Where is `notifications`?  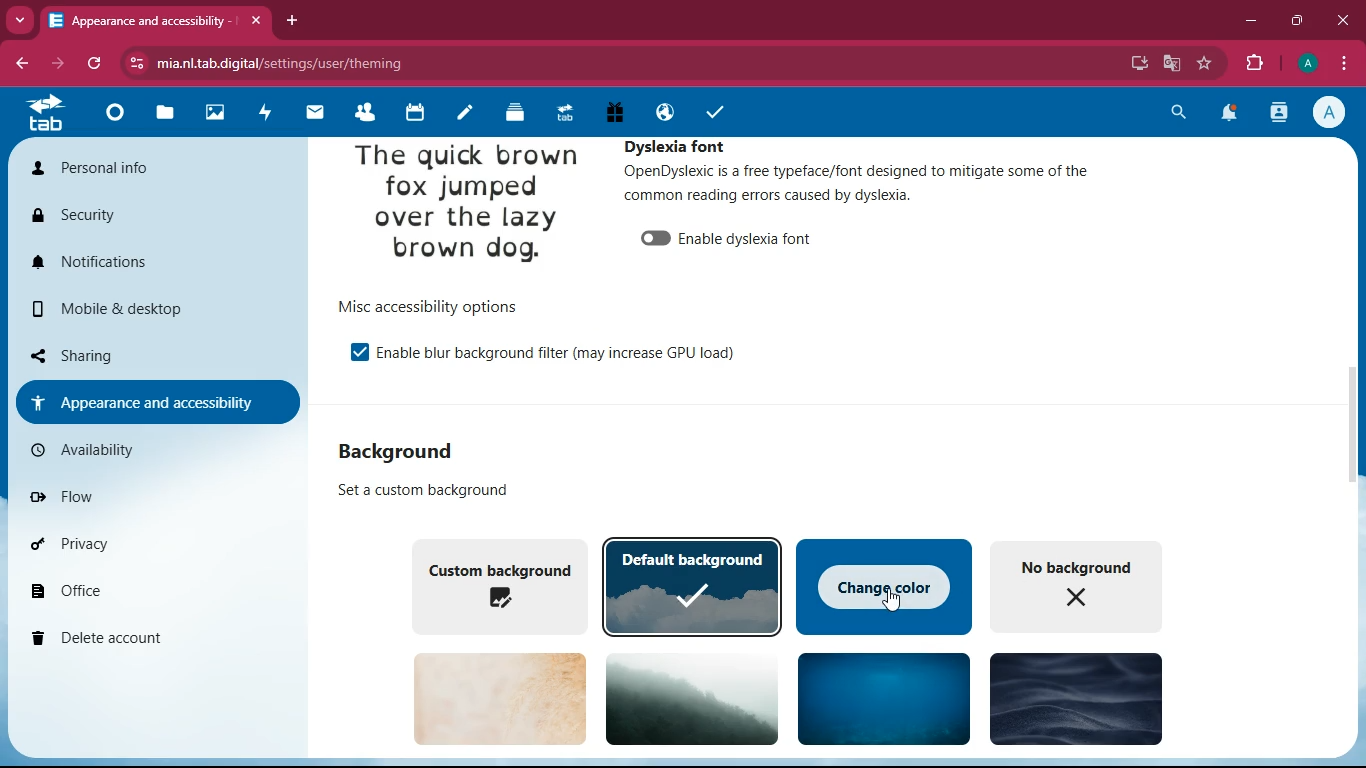 notifications is located at coordinates (1228, 116).